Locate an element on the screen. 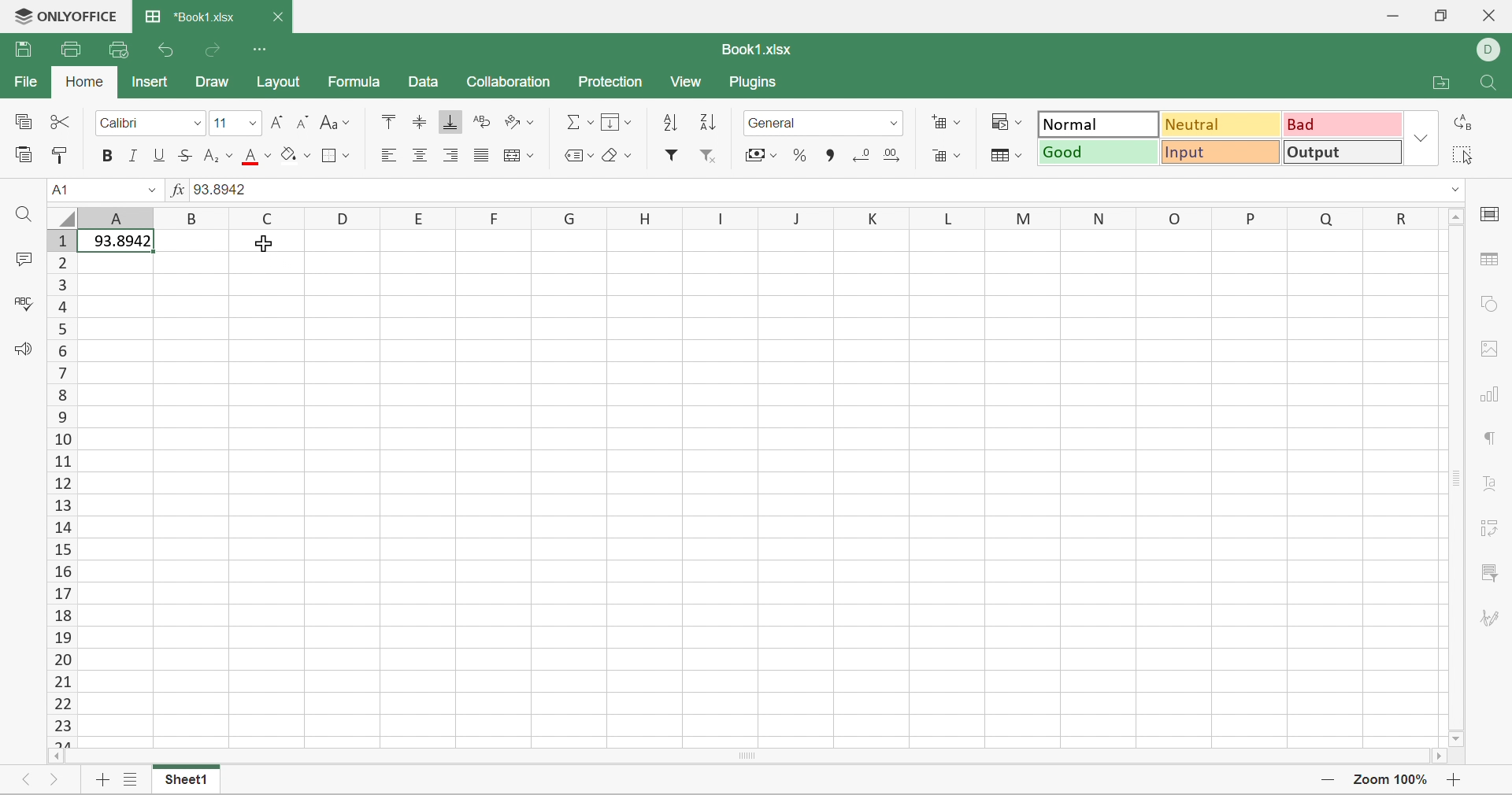  Cut is located at coordinates (57, 122).